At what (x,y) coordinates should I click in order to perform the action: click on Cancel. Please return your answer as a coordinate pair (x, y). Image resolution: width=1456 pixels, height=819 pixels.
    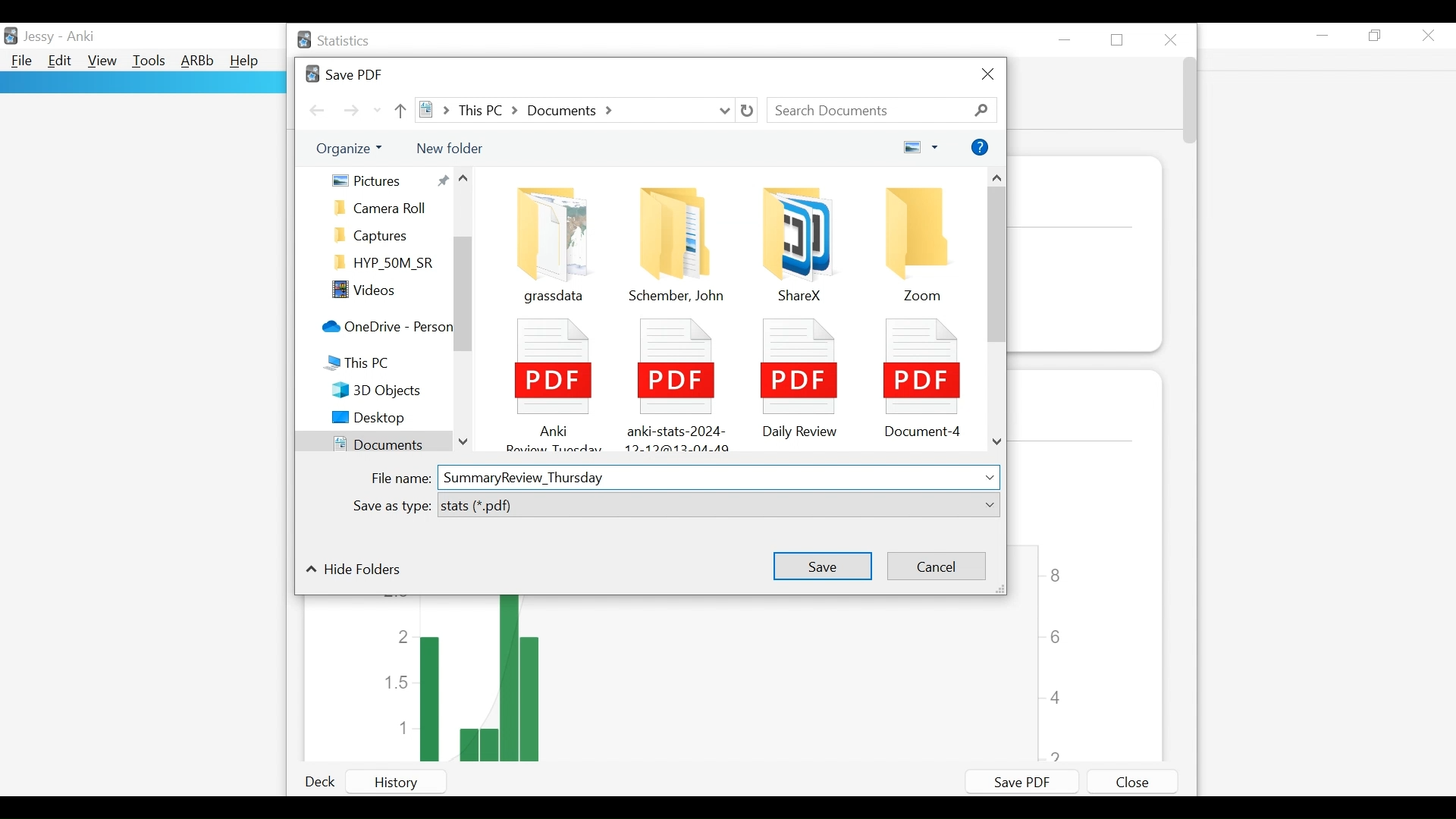
    Looking at the image, I should click on (934, 566).